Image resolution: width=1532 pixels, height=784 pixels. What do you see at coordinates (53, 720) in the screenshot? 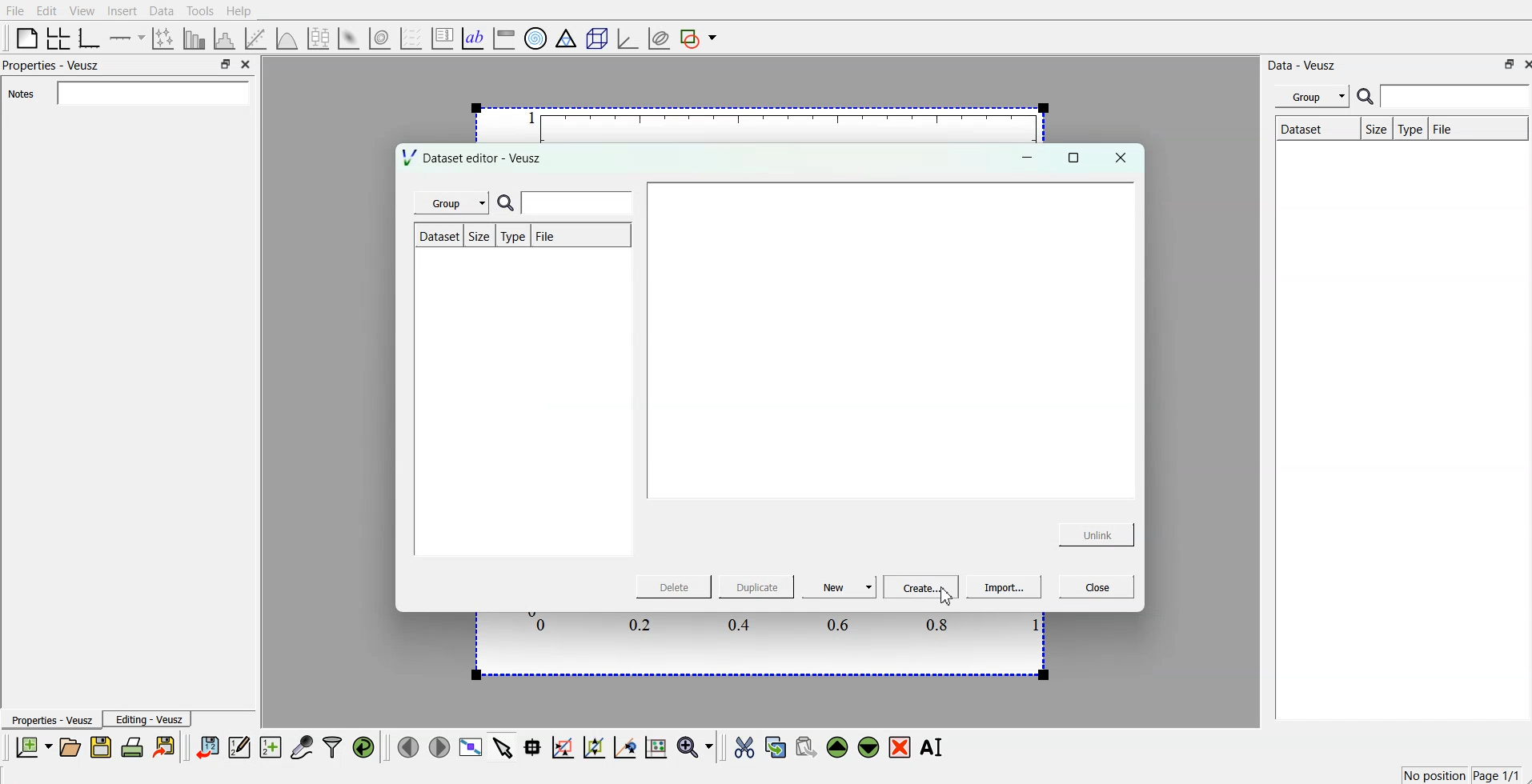
I see `Properties - Veusz` at bounding box center [53, 720].